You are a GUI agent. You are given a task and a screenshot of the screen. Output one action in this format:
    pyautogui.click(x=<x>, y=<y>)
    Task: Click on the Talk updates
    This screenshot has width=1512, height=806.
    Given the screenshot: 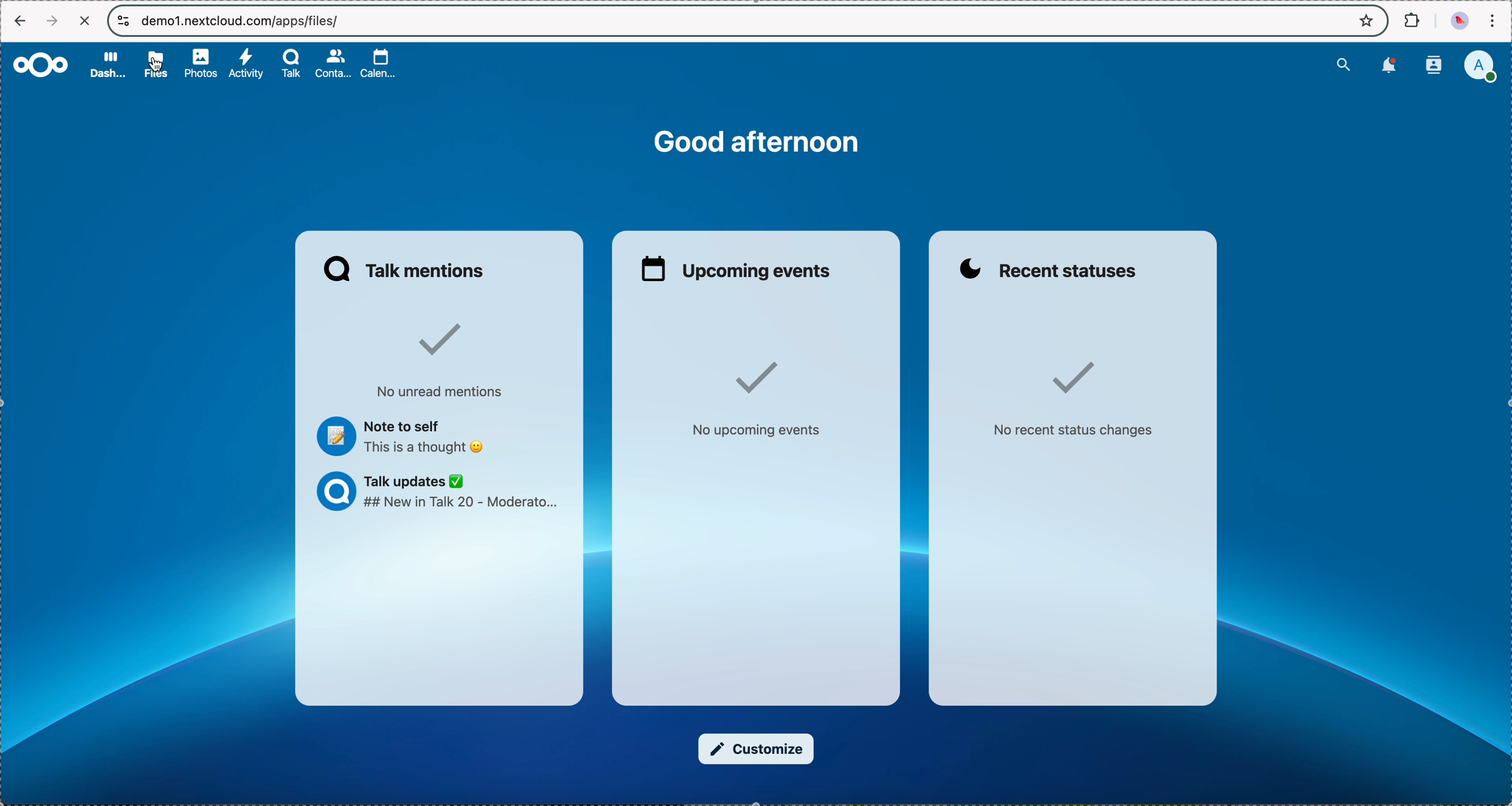 What is the action you would take?
    pyautogui.click(x=448, y=496)
    